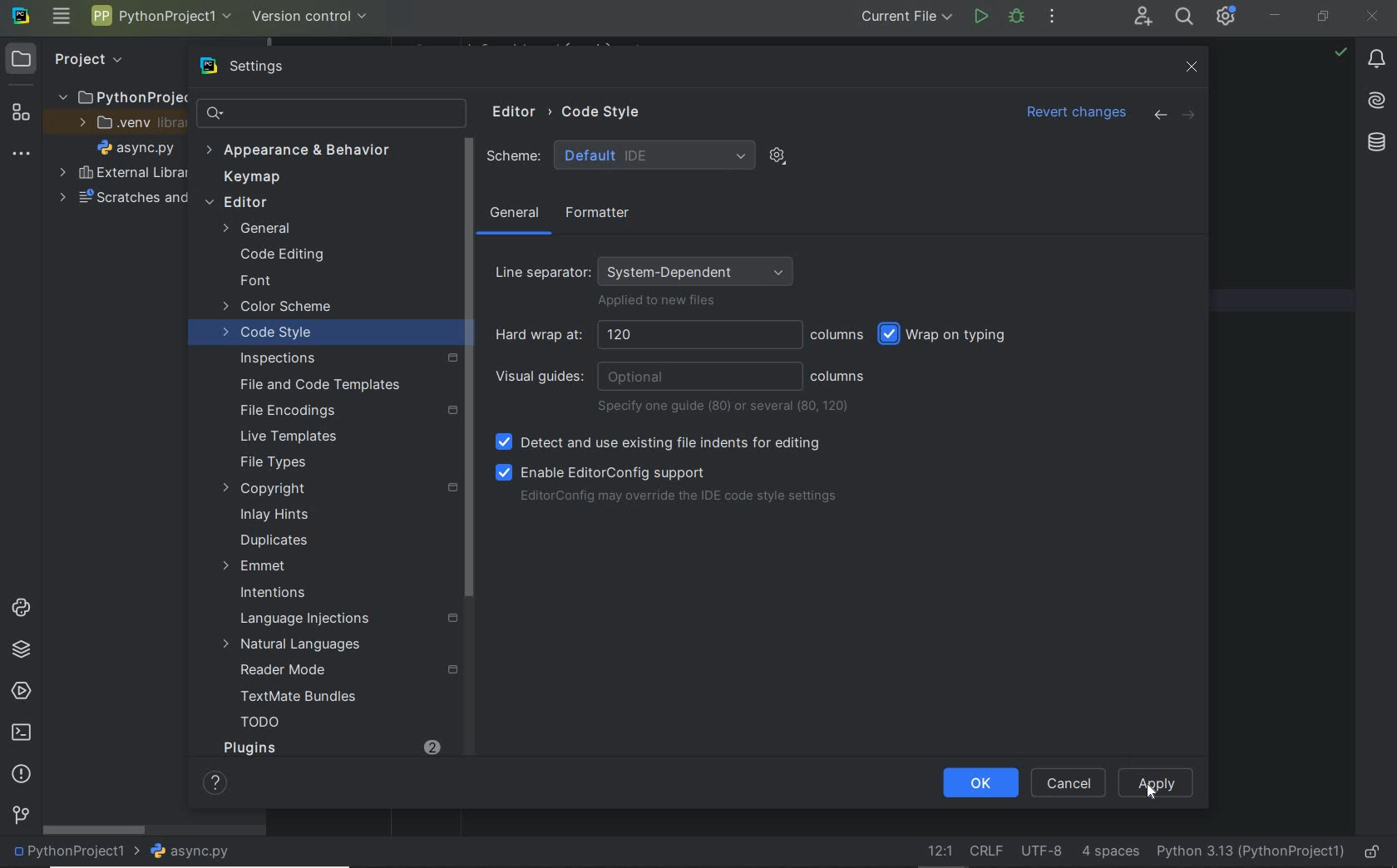 This screenshot has height=868, width=1397. Describe the element at coordinates (1156, 783) in the screenshot. I see `Apply` at that location.